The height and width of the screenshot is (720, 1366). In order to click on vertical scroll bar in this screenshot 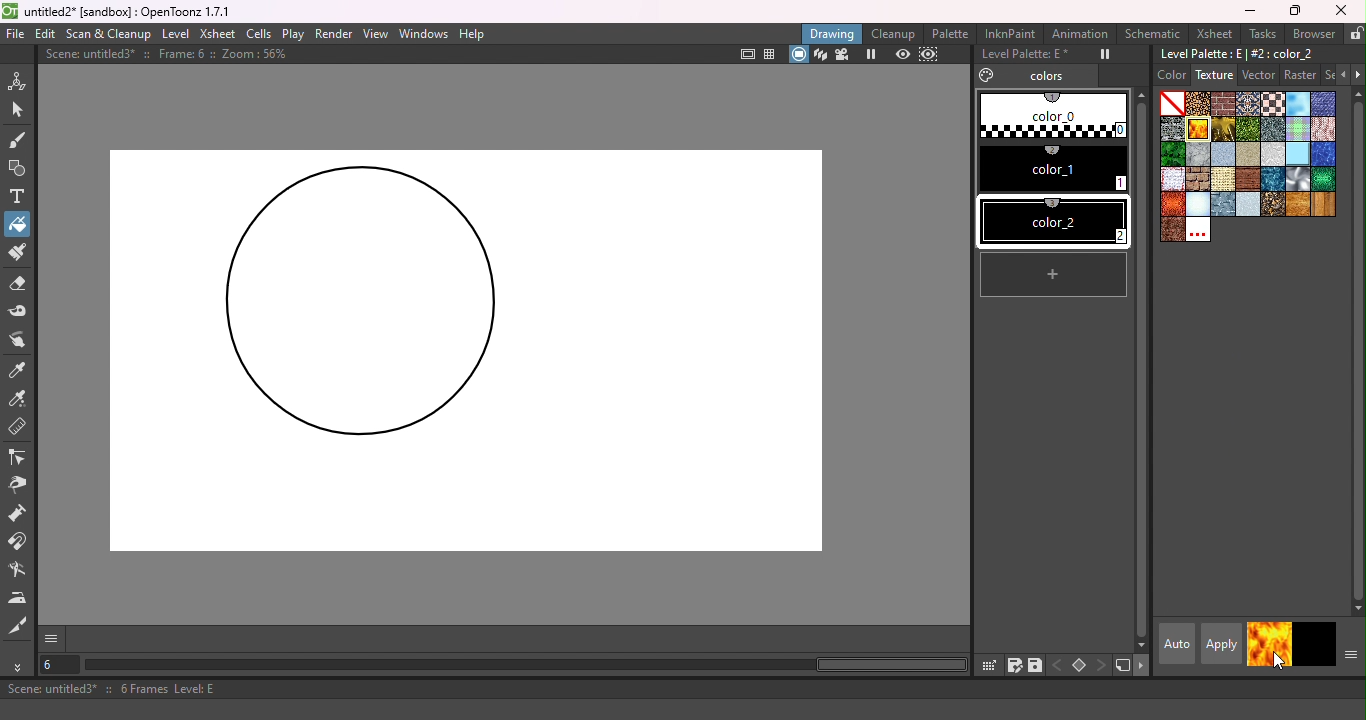, I will do `click(1139, 369)`.